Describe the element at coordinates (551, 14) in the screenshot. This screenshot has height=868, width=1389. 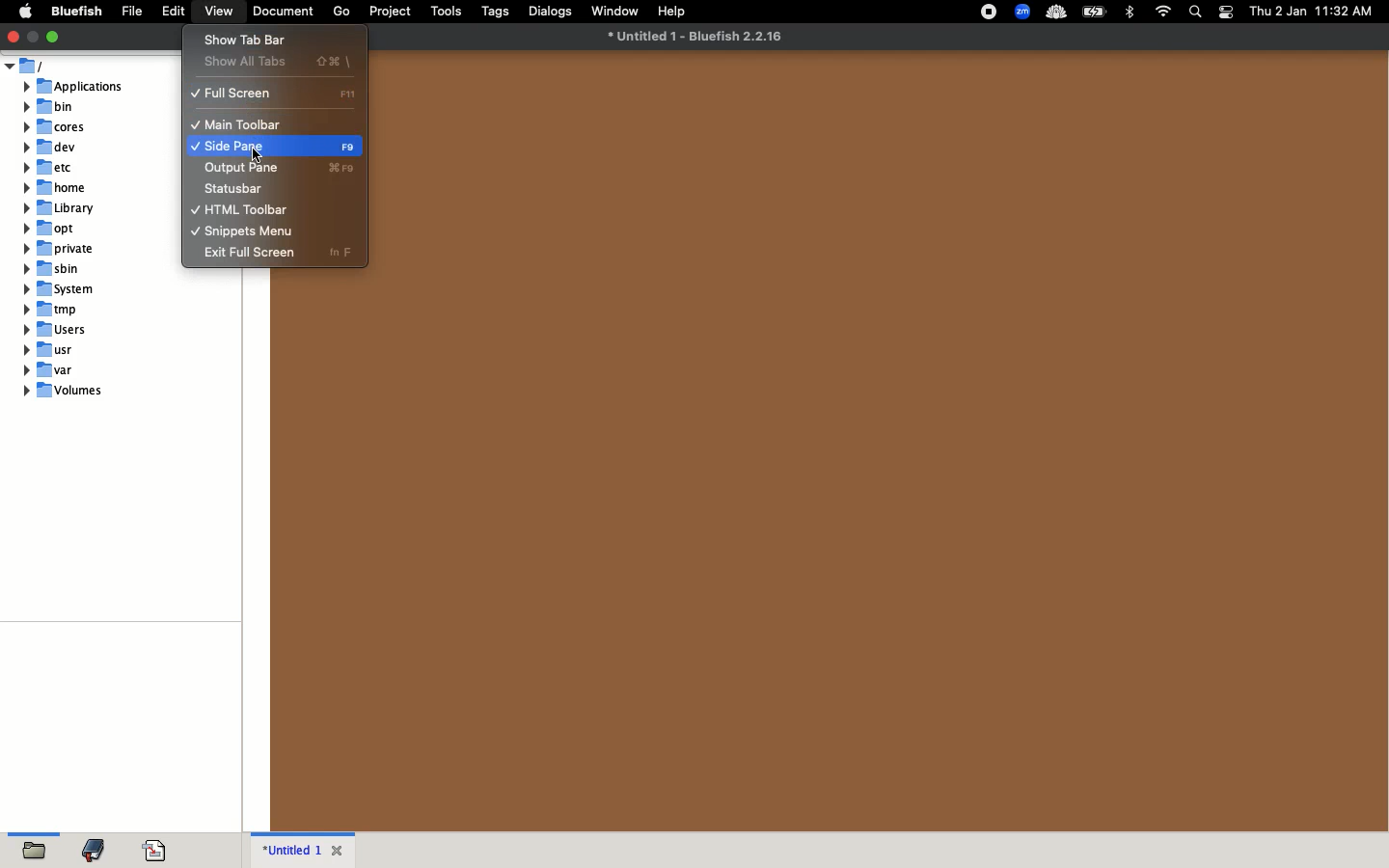
I see `dialogs` at that location.